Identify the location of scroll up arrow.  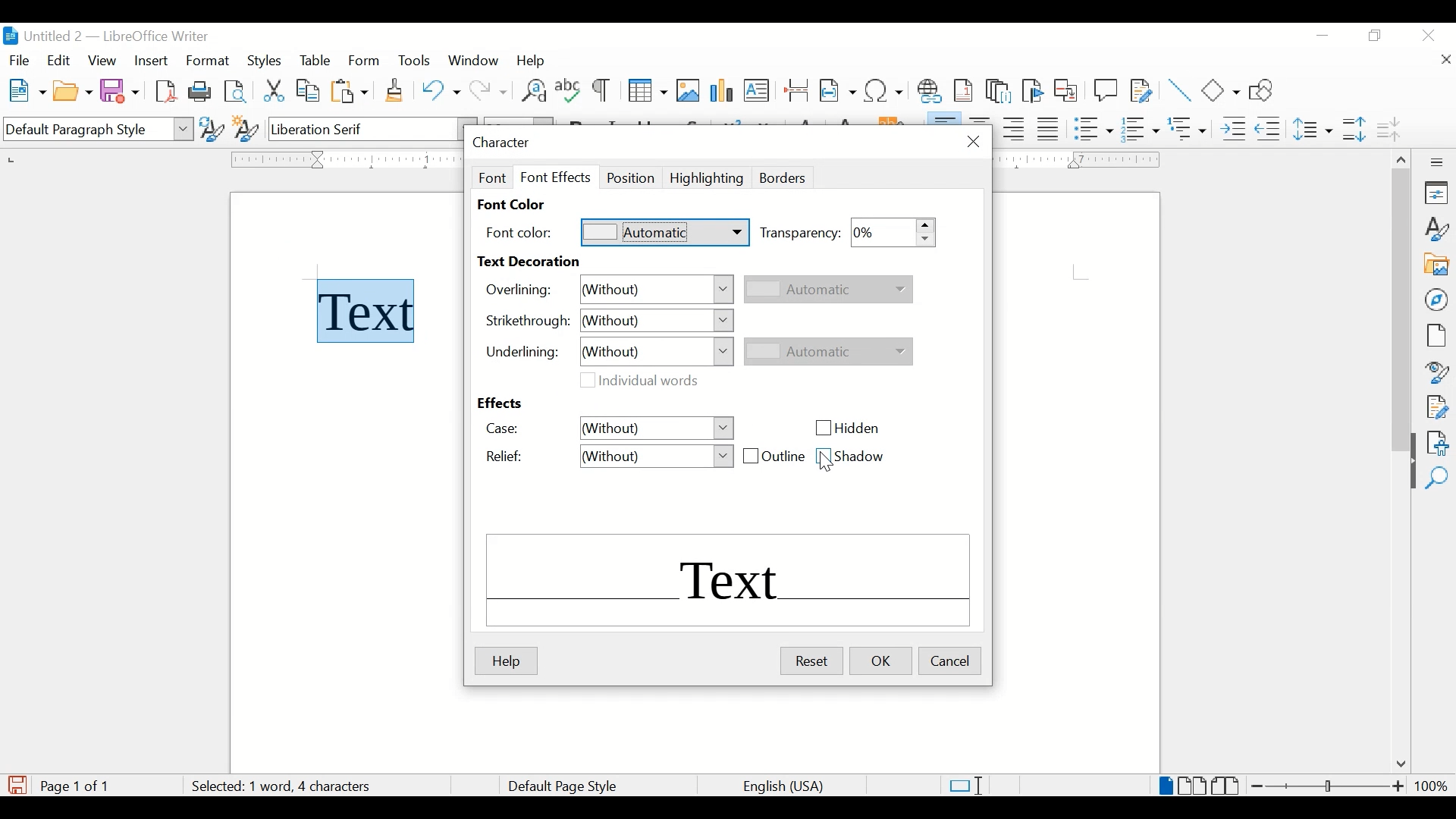
(1399, 157).